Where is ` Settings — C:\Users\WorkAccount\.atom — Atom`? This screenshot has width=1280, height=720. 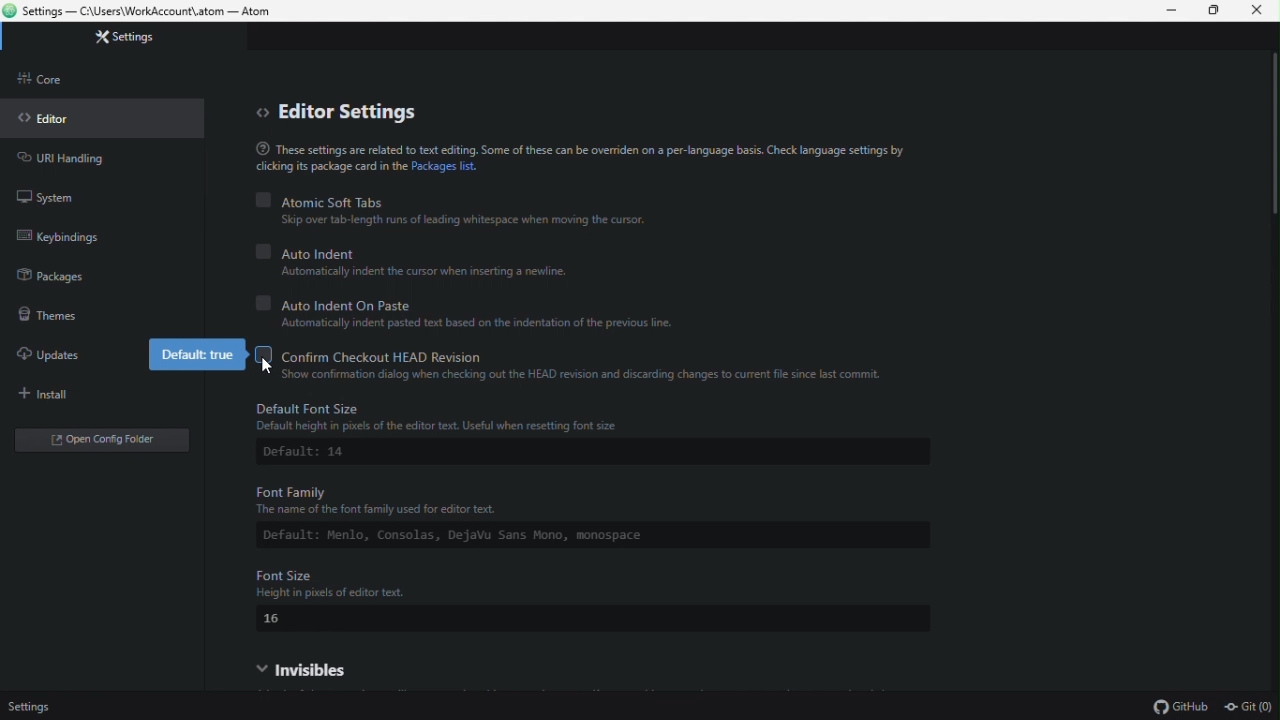
 Settings — C:\Users\WorkAccount\.atom — Atom is located at coordinates (151, 11).